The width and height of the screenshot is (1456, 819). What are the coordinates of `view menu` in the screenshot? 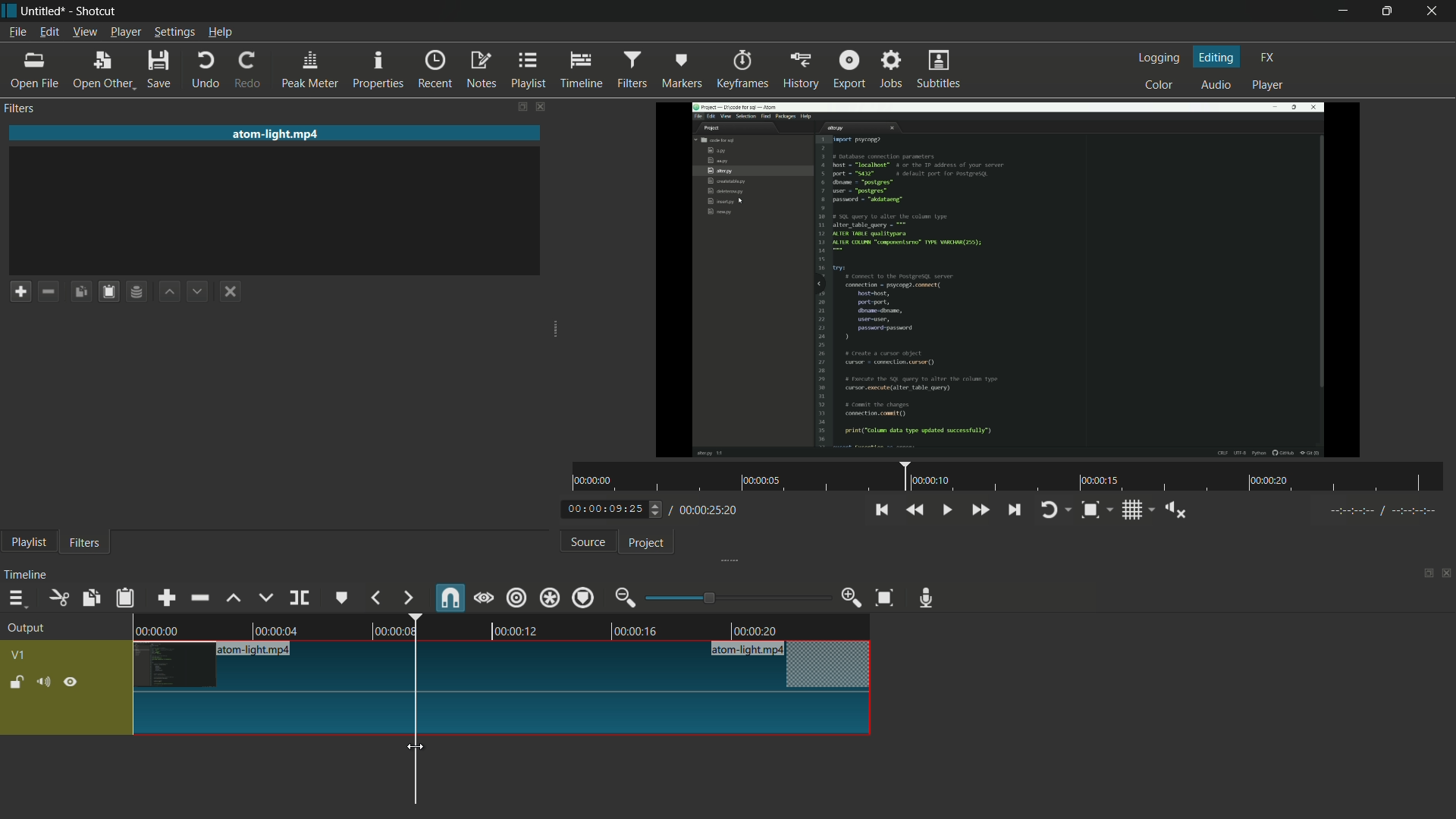 It's located at (83, 33).